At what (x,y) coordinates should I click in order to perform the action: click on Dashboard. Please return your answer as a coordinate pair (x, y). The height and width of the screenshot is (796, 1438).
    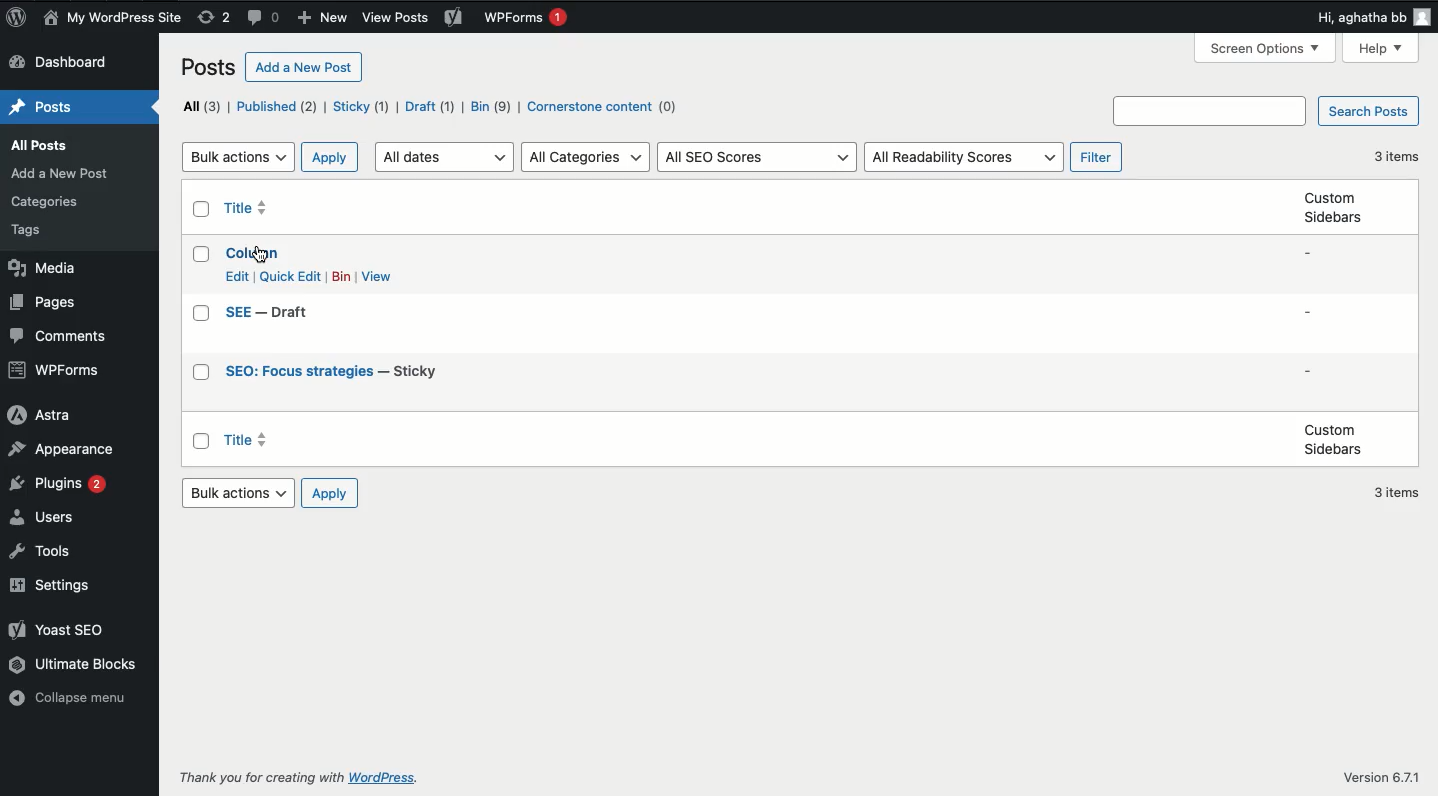
    Looking at the image, I should click on (69, 63).